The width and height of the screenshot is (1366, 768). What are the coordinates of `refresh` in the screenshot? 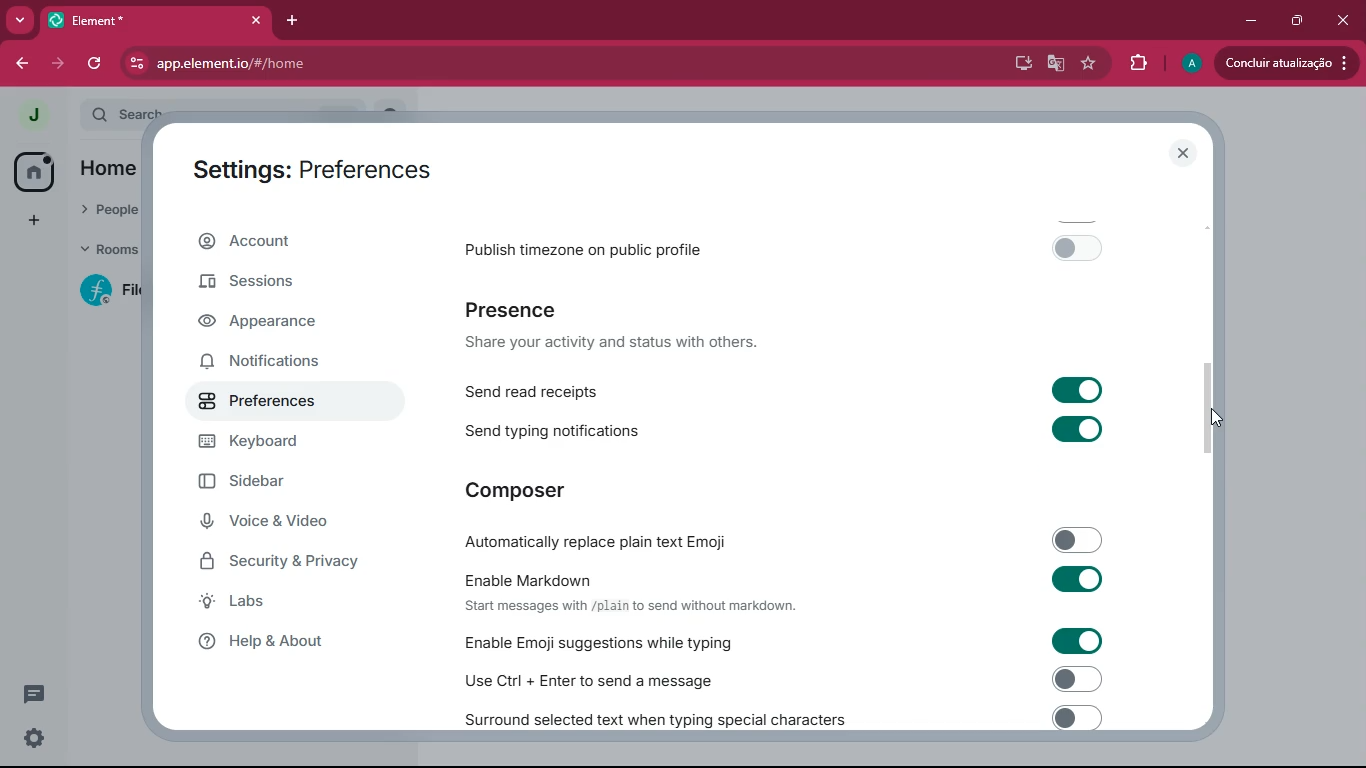 It's located at (97, 62).